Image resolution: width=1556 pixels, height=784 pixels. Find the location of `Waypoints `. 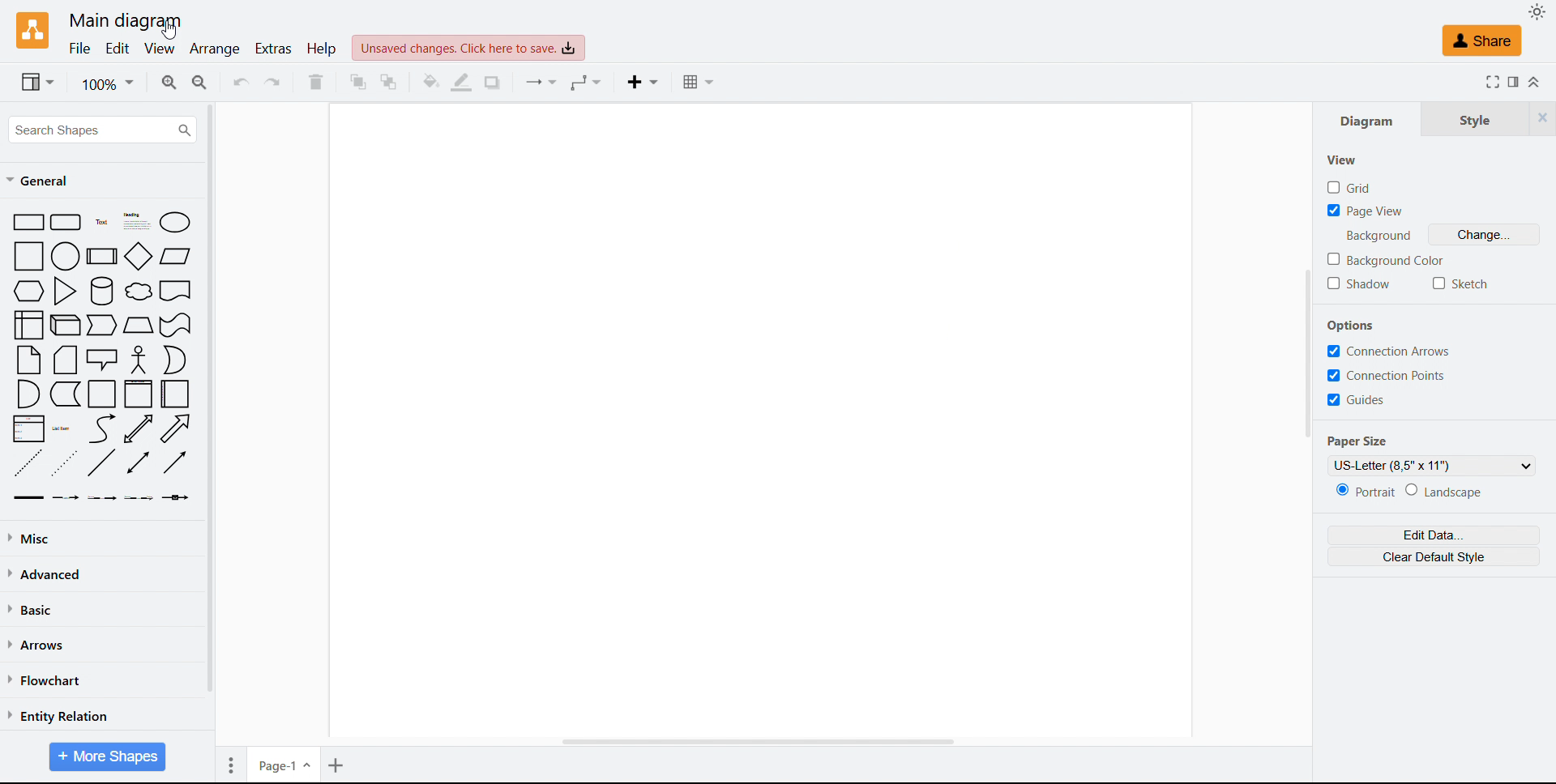

Waypoints  is located at coordinates (587, 83).